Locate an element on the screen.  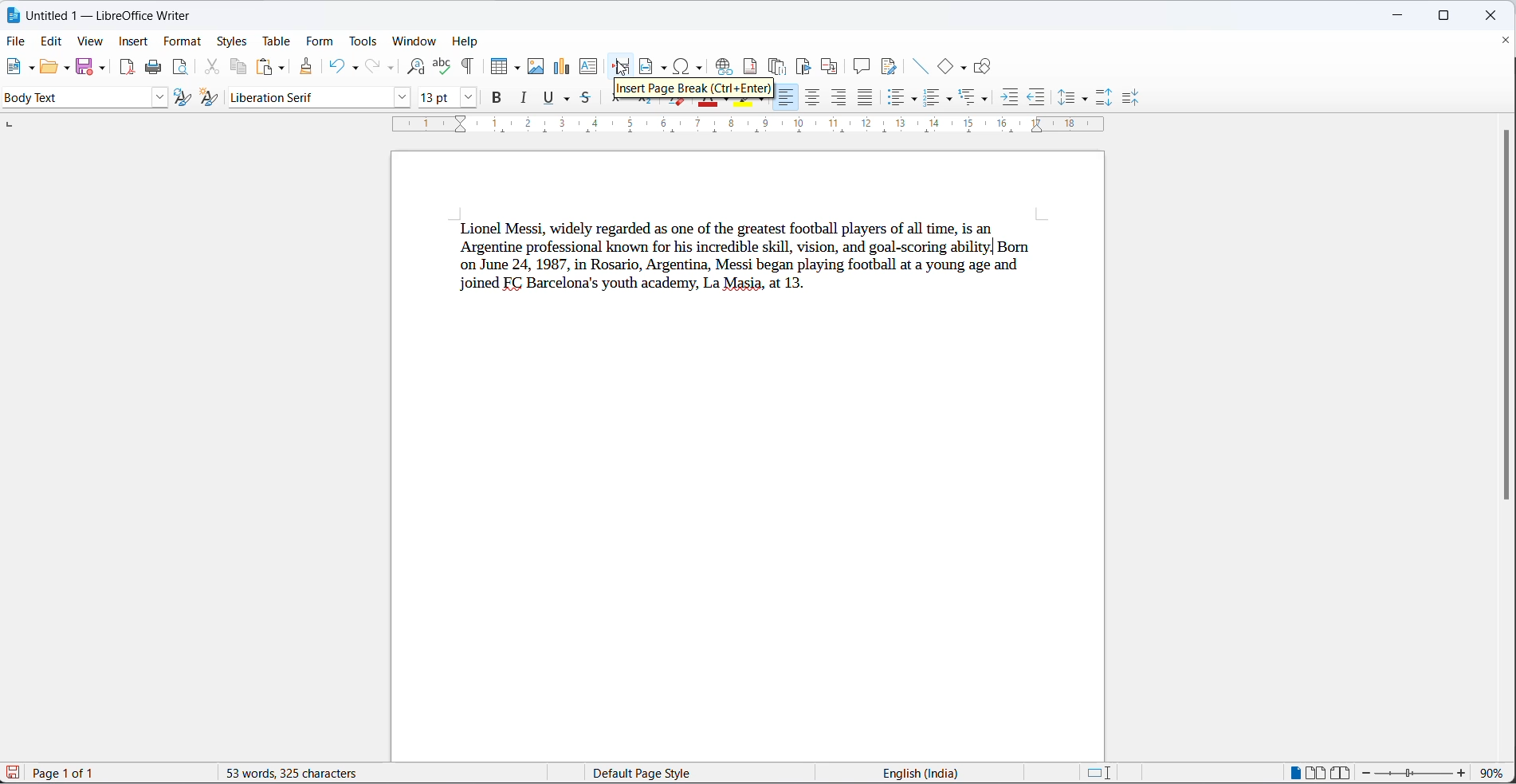
page break is located at coordinates (621, 67).